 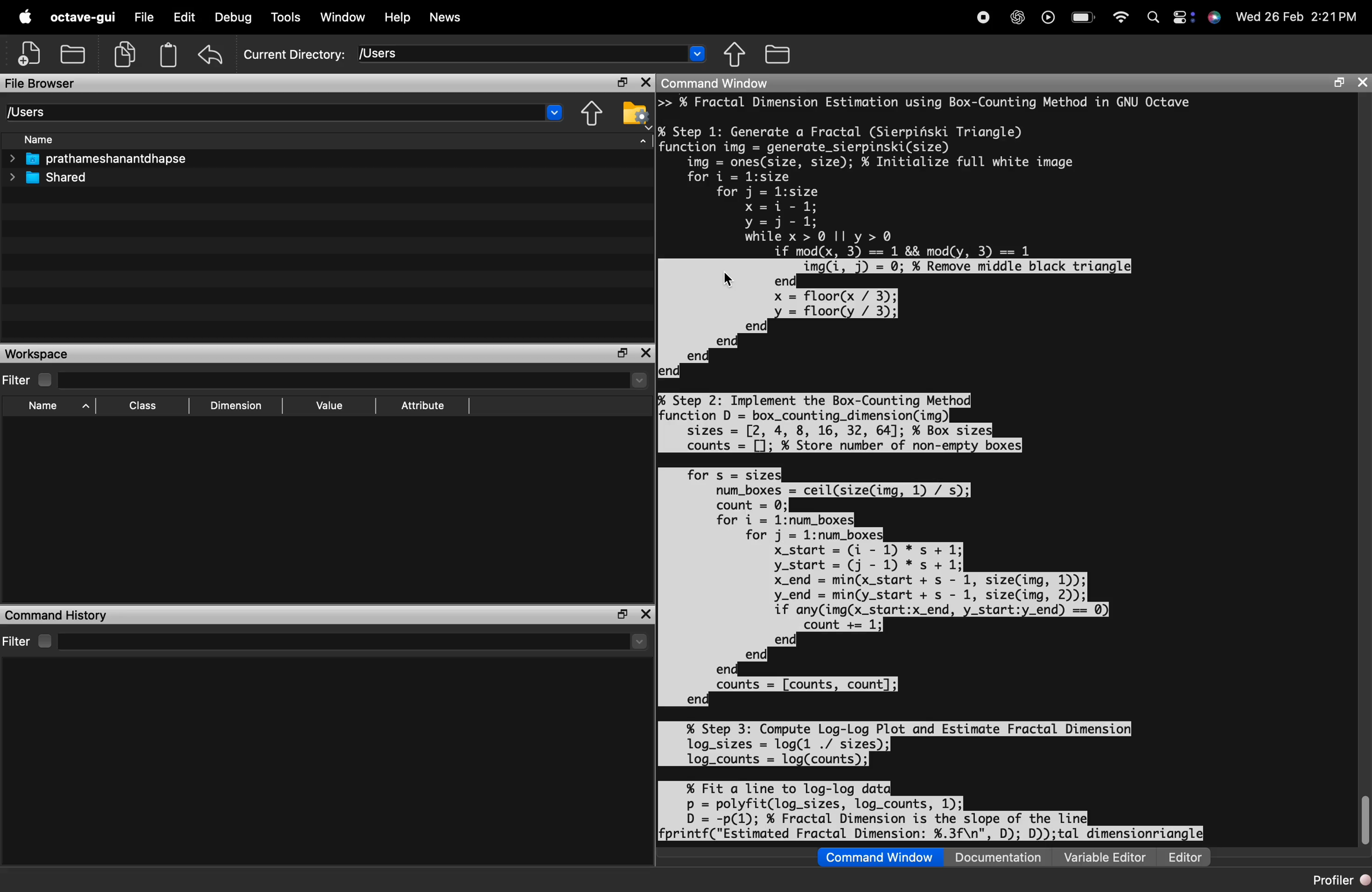 I want to click on Variable Editor, so click(x=1106, y=857).